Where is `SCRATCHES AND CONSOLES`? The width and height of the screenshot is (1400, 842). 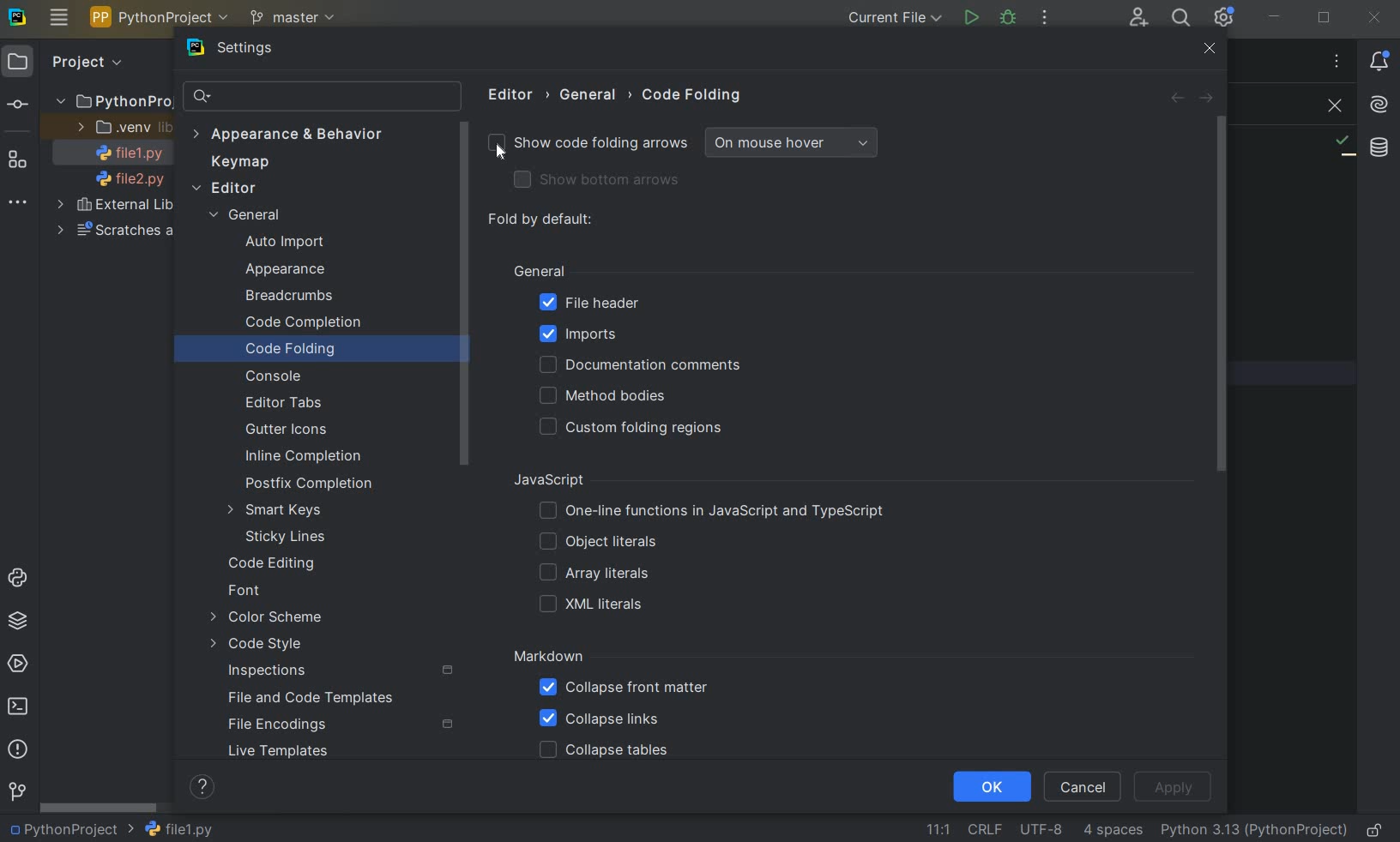 SCRATCHES AND CONSOLES is located at coordinates (112, 232).